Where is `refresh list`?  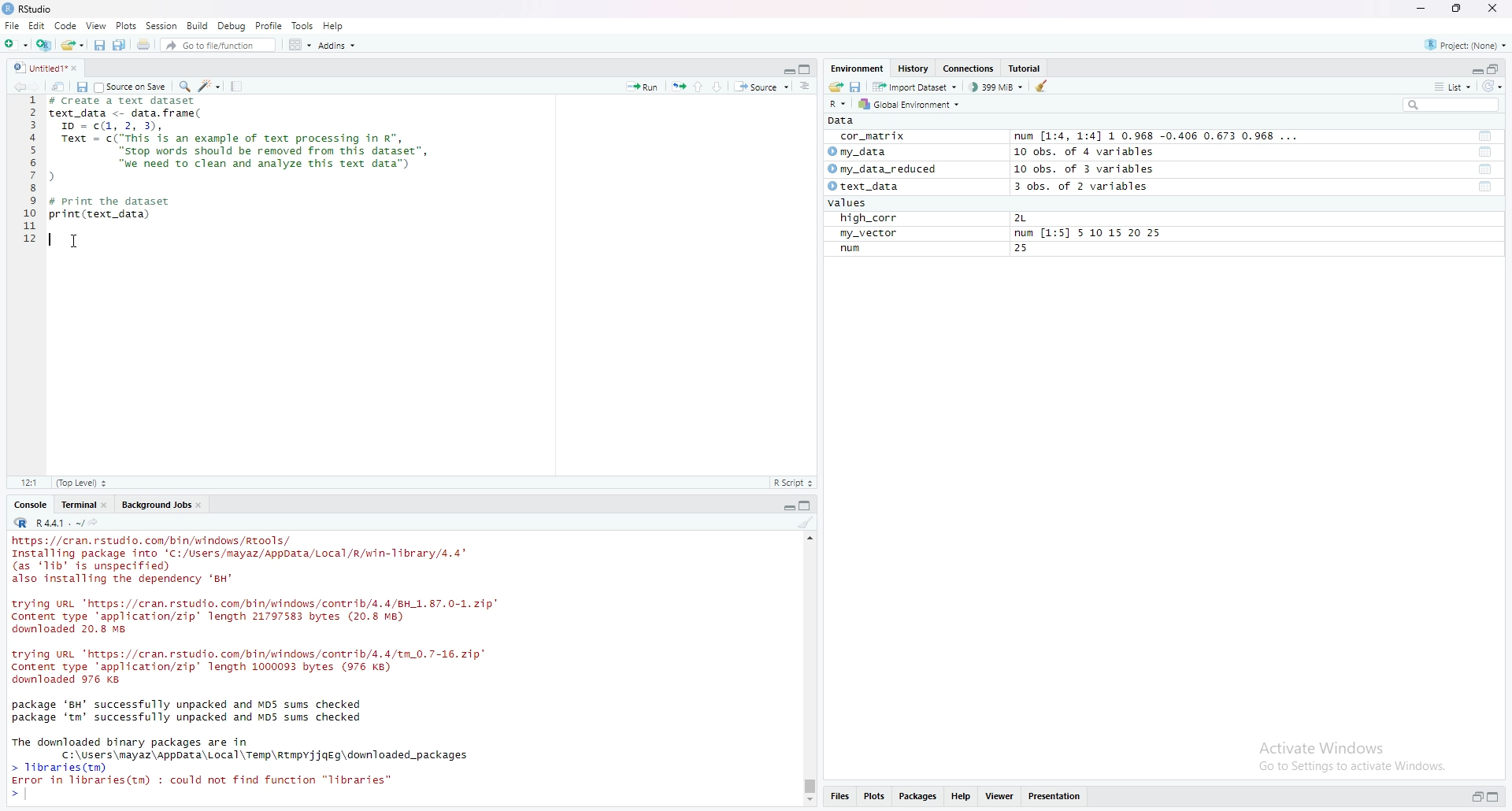 refresh list is located at coordinates (1492, 89).